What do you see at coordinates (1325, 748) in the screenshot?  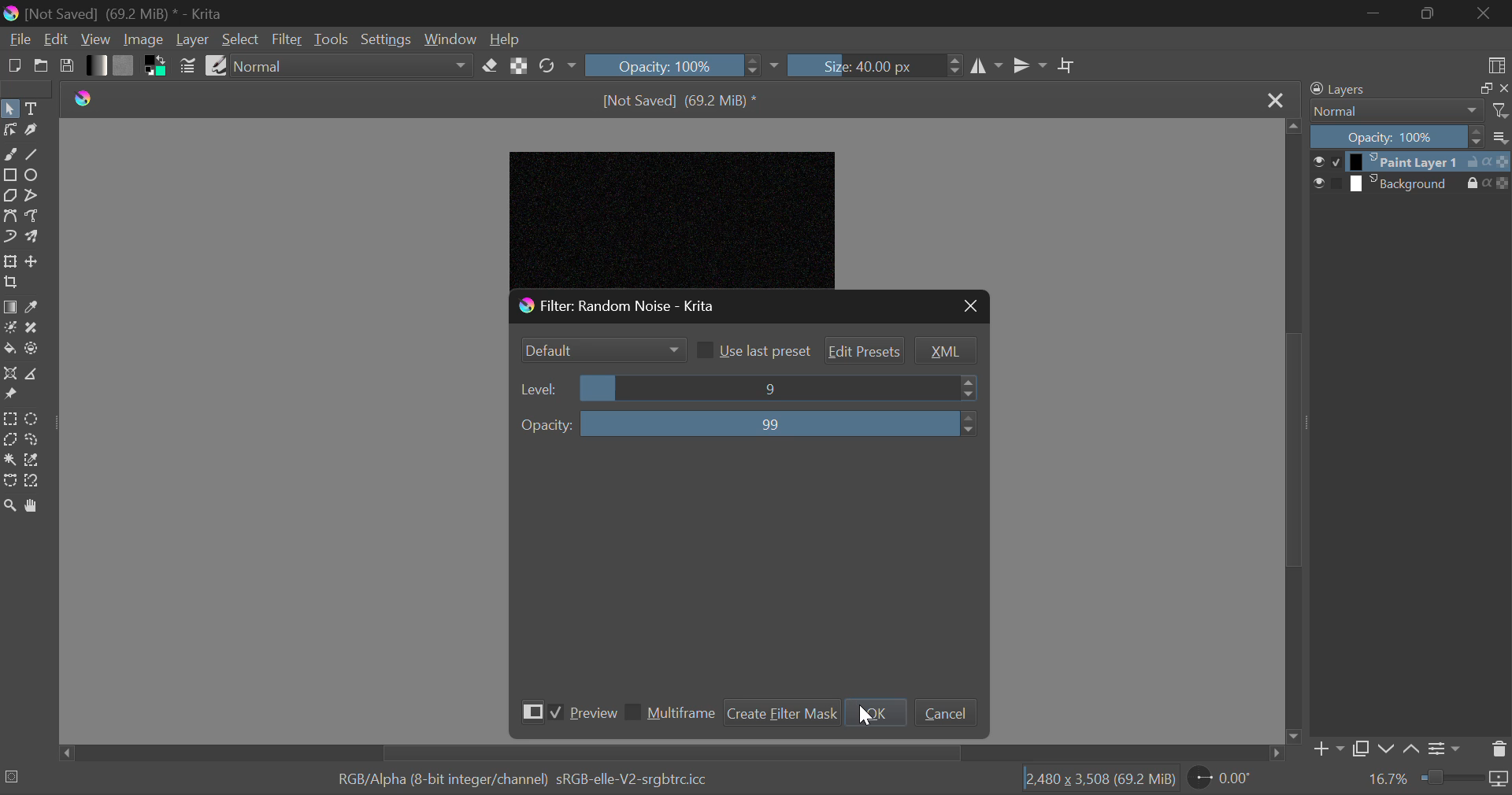 I see `Add Layer` at bounding box center [1325, 748].